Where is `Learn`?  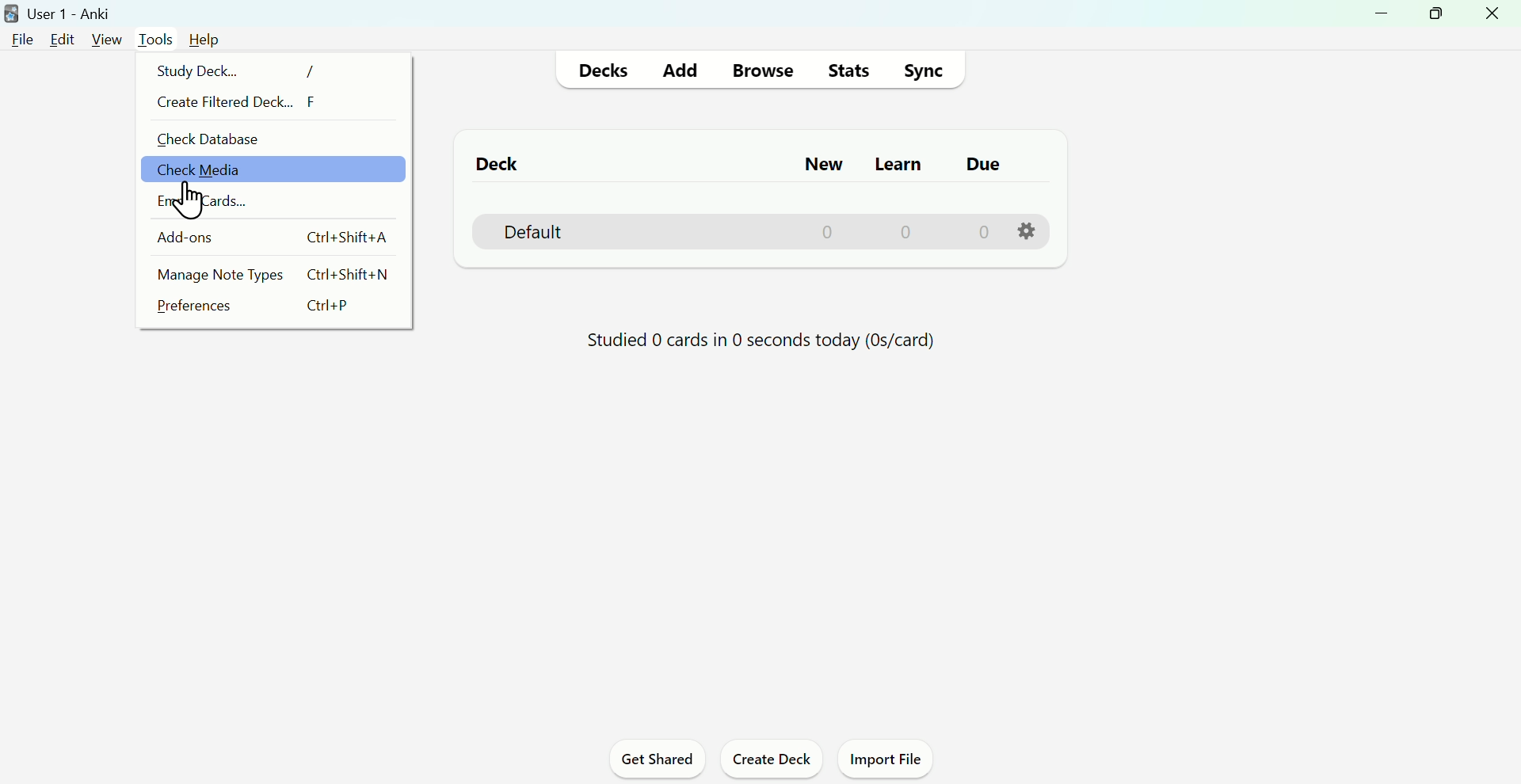
Learn is located at coordinates (899, 163).